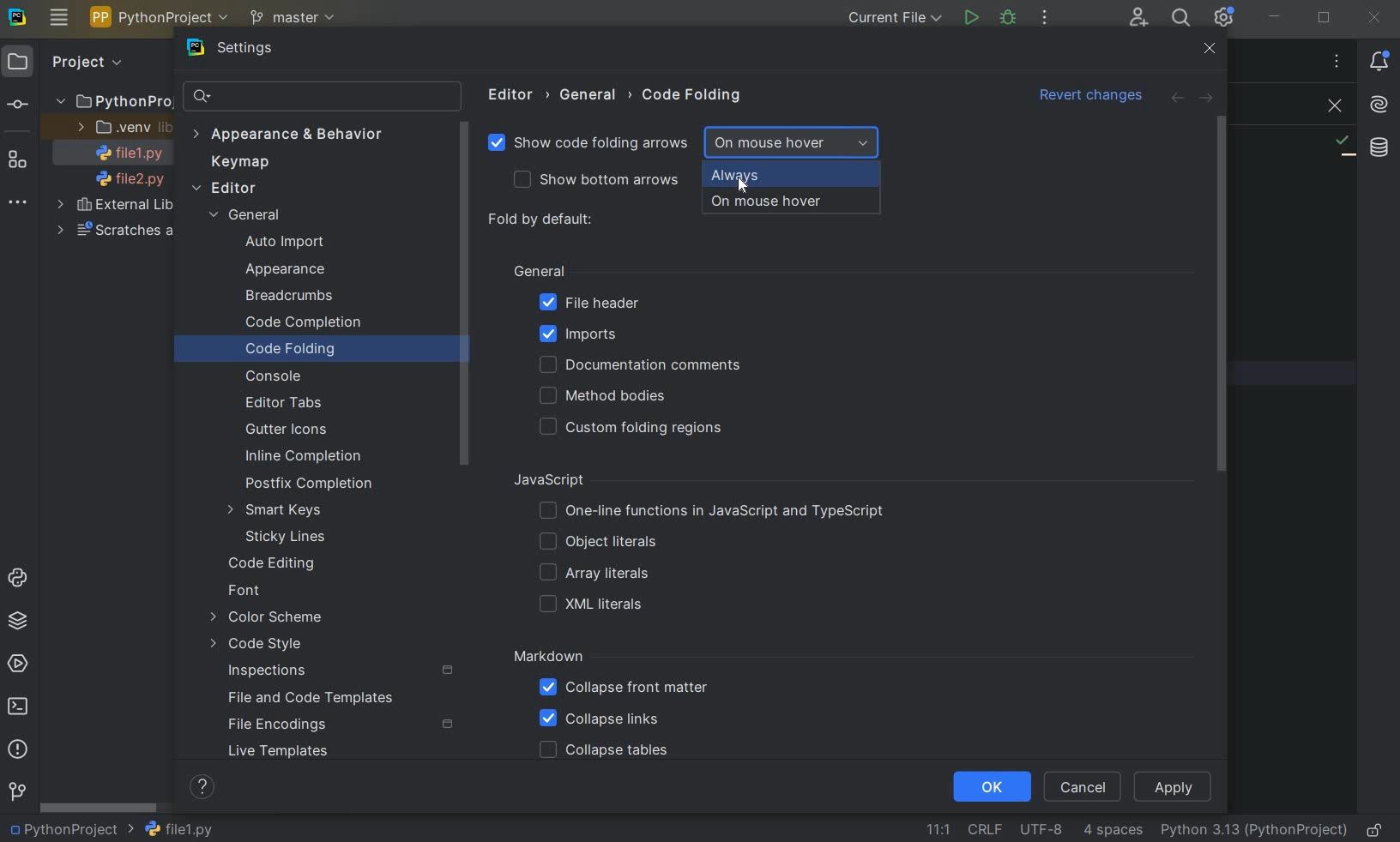 The width and height of the screenshot is (1400, 842). I want to click on SMART KEYS, so click(279, 511).